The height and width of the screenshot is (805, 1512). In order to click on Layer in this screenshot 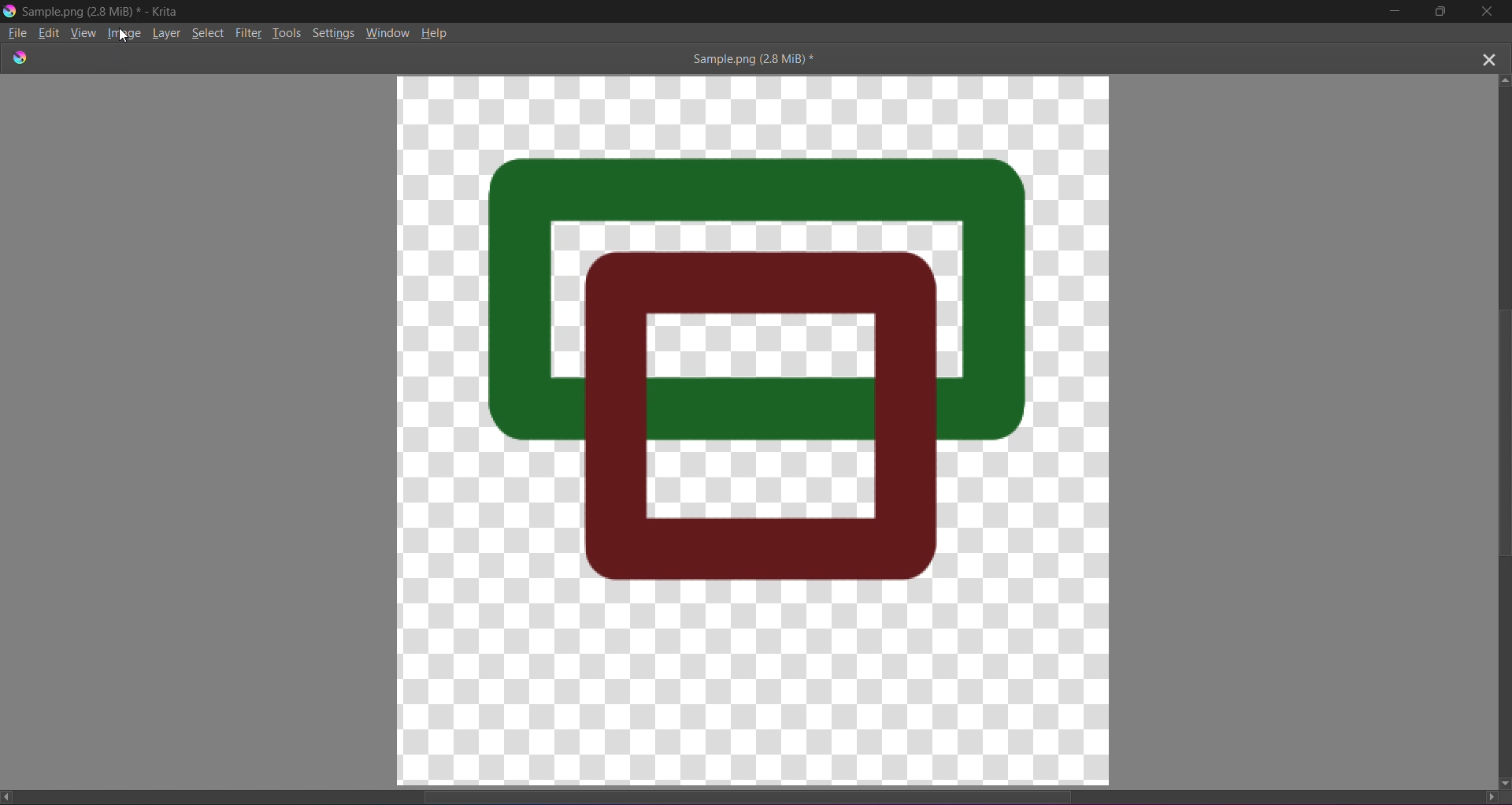, I will do `click(169, 32)`.